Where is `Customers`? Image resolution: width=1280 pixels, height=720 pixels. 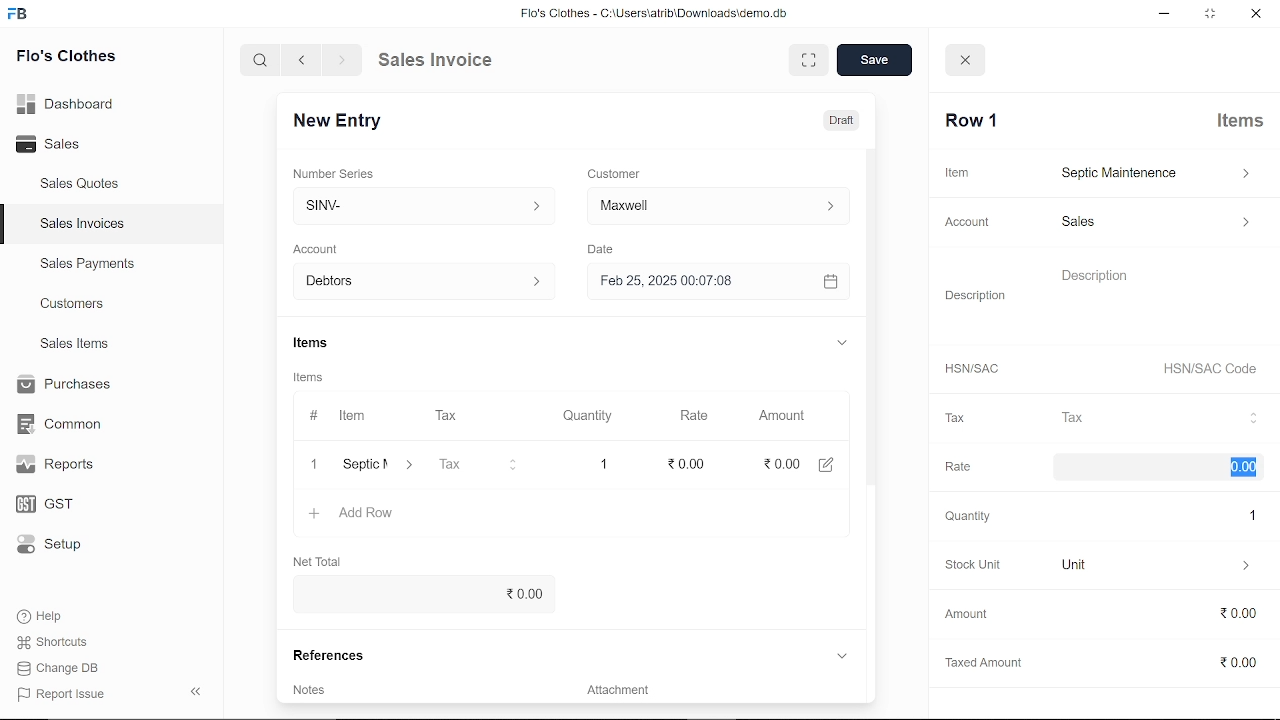 Customers is located at coordinates (74, 303).